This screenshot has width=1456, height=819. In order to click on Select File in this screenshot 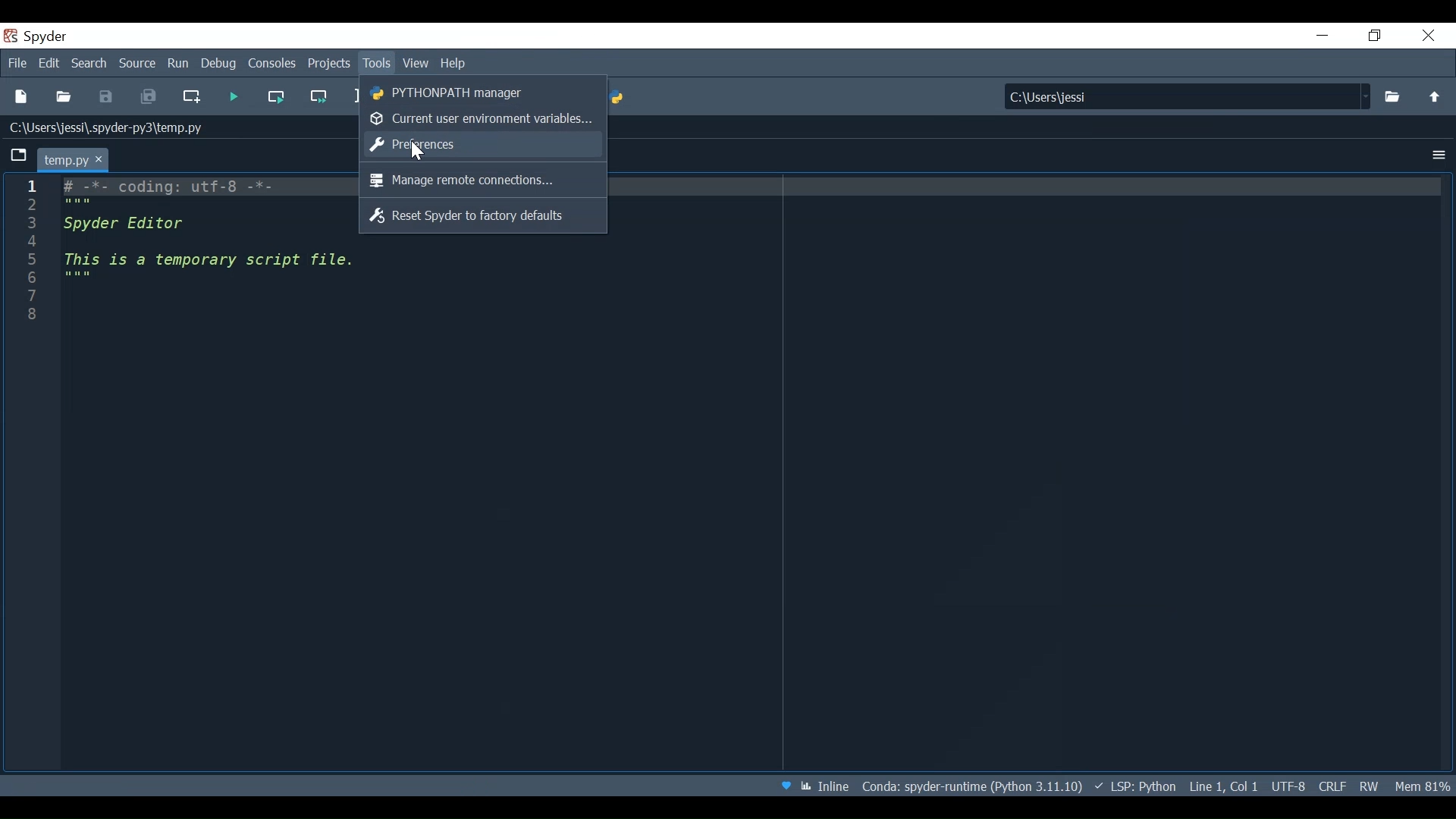, I will do `click(1391, 96)`.